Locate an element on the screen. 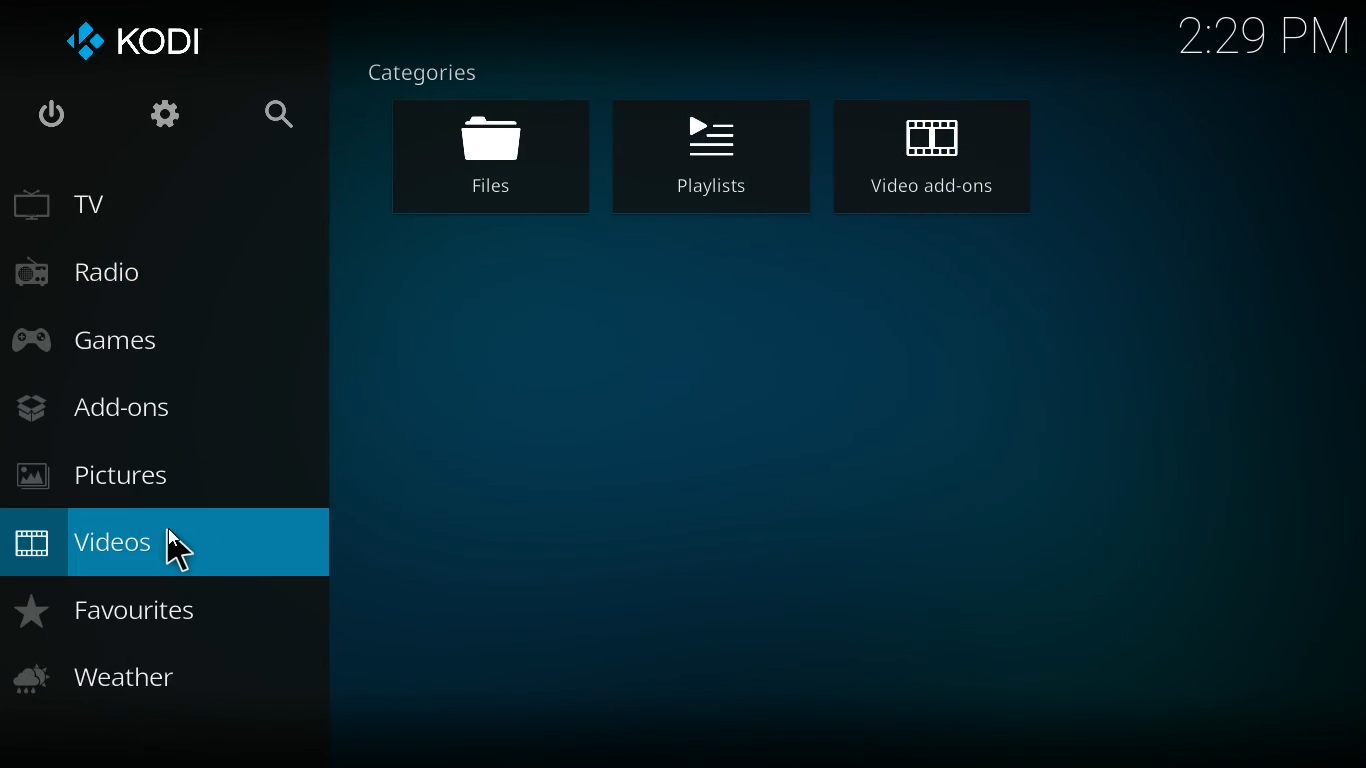 The height and width of the screenshot is (768, 1366). video add-ons is located at coordinates (937, 157).